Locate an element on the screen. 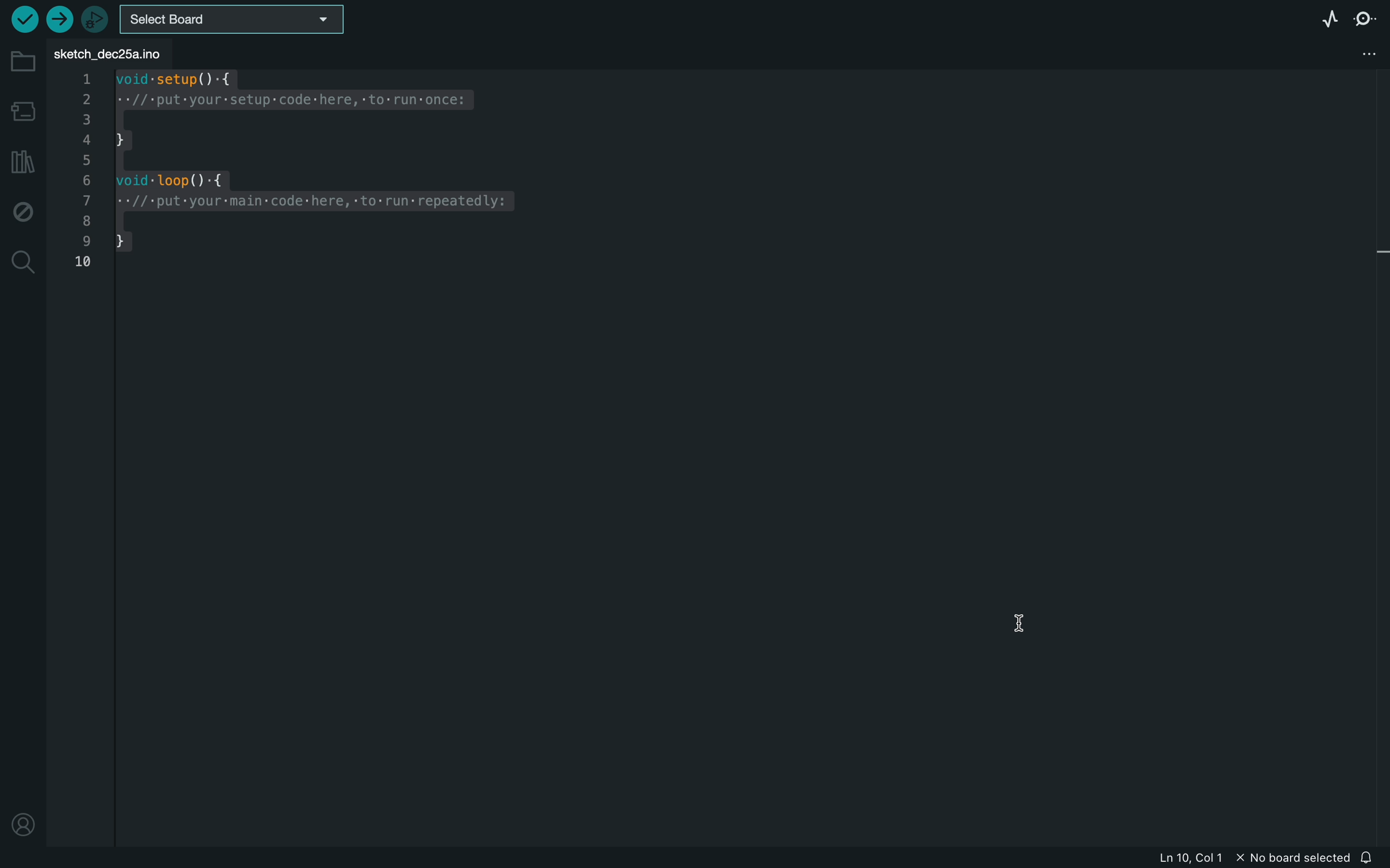  file  tab is located at coordinates (115, 53).